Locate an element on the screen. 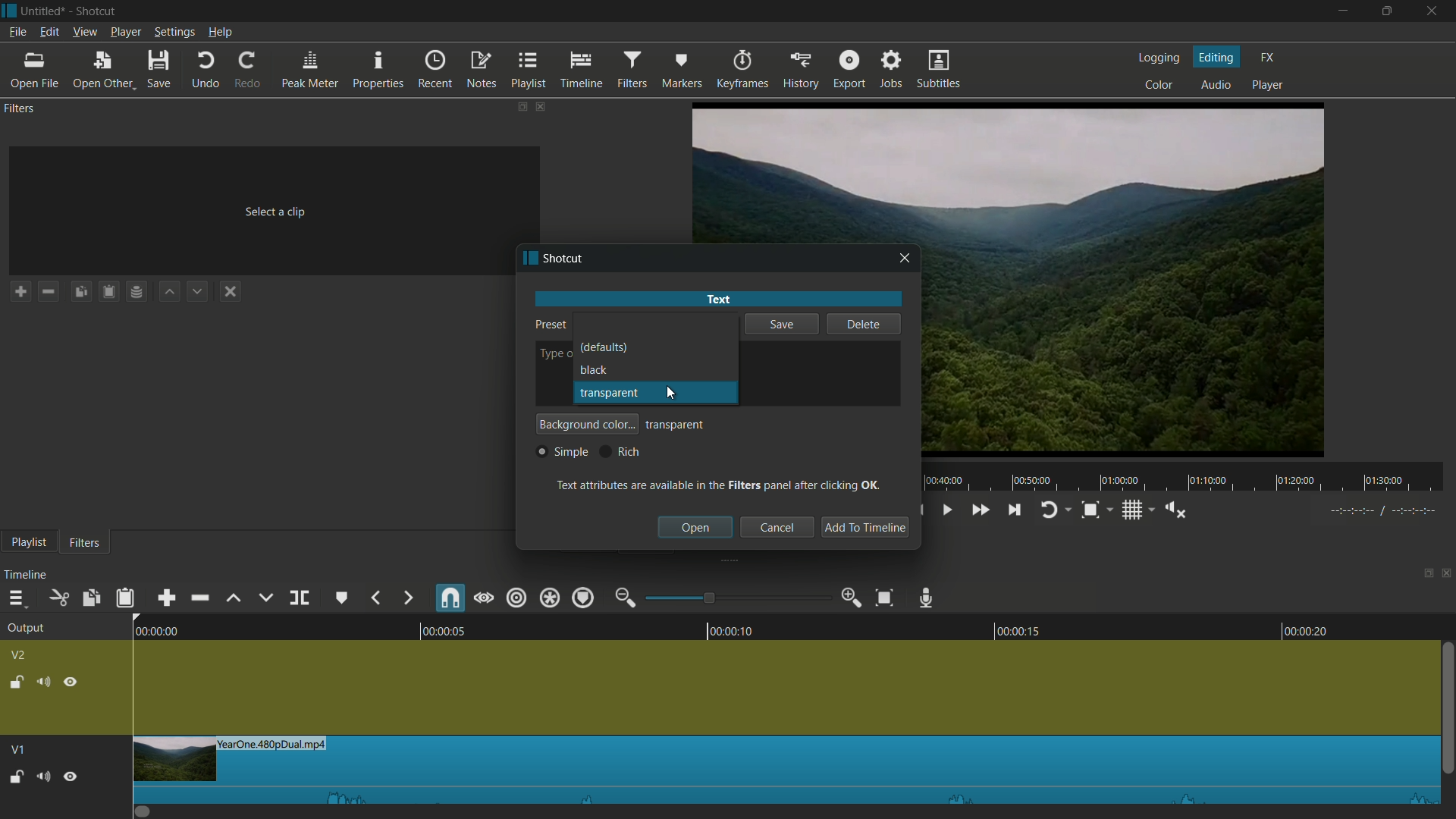 The height and width of the screenshot is (819, 1456). keyframes is located at coordinates (740, 70).